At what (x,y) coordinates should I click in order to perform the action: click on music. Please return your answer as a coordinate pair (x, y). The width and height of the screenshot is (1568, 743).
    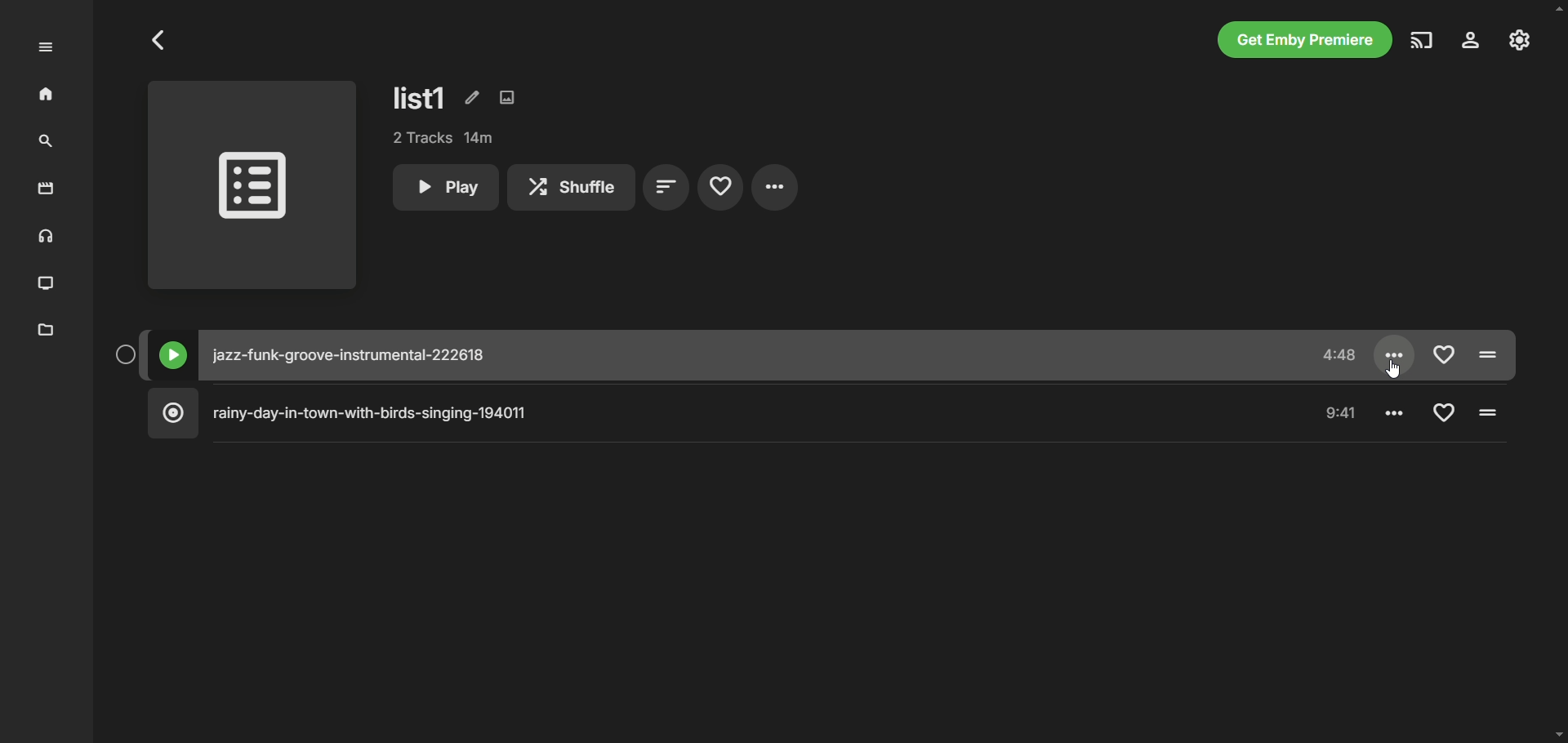
    Looking at the image, I should click on (43, 238).